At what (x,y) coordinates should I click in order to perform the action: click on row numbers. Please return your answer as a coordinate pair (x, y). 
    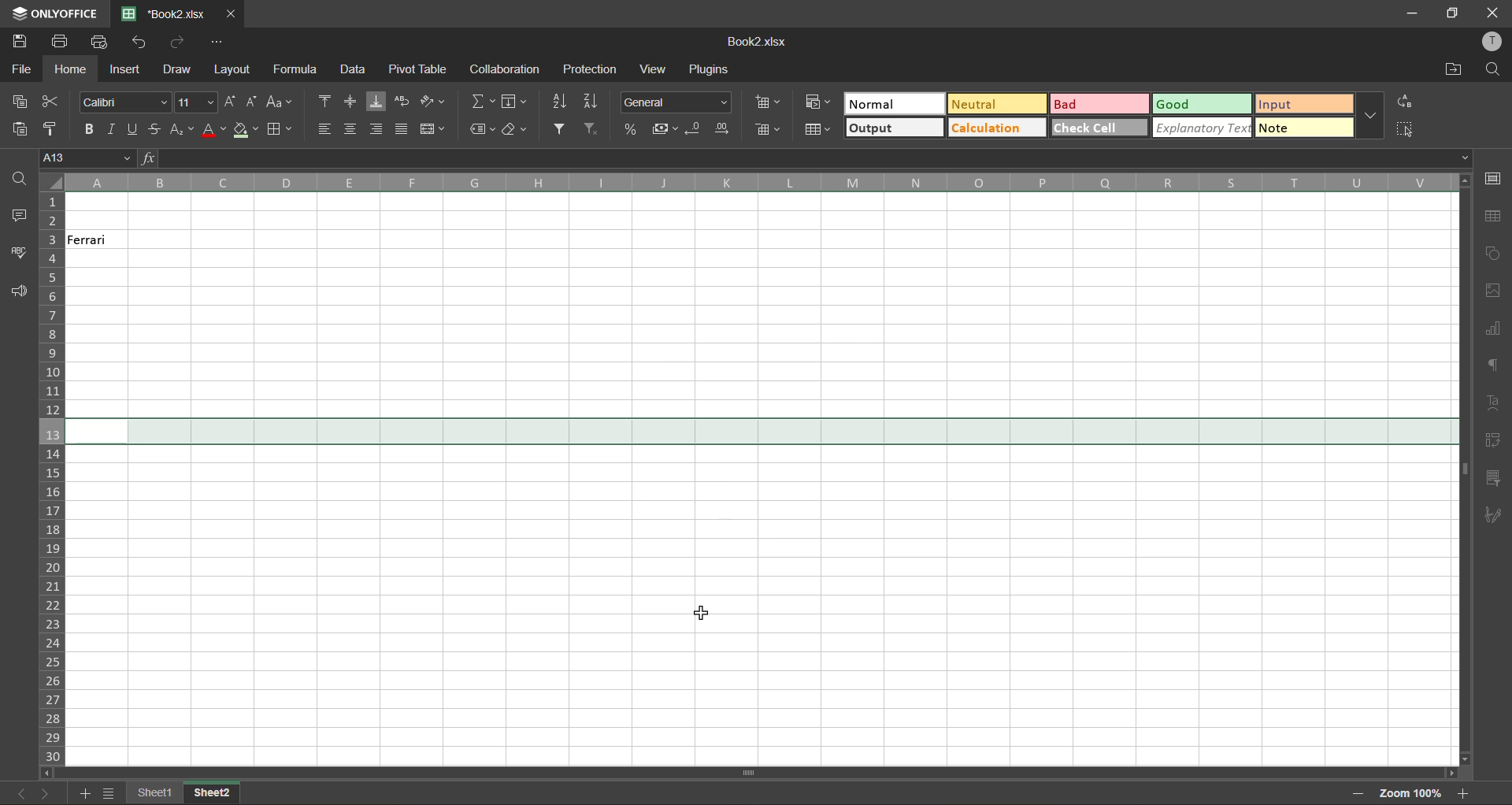
    Looking at the image, I should click on (53, 478).